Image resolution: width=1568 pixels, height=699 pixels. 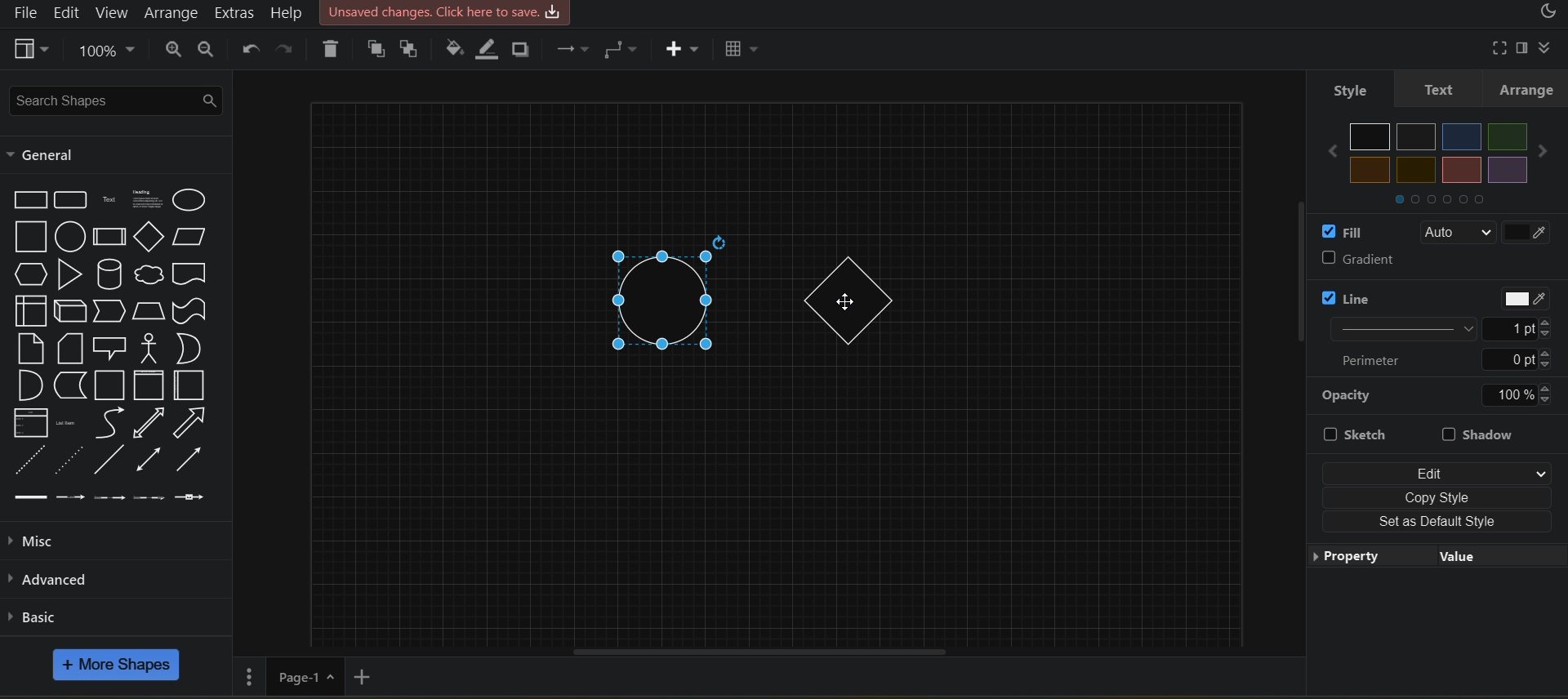 What do you see at coordinates (452, 50) in the screenshot?
I see `fill color` at bounding box center [452, 50].